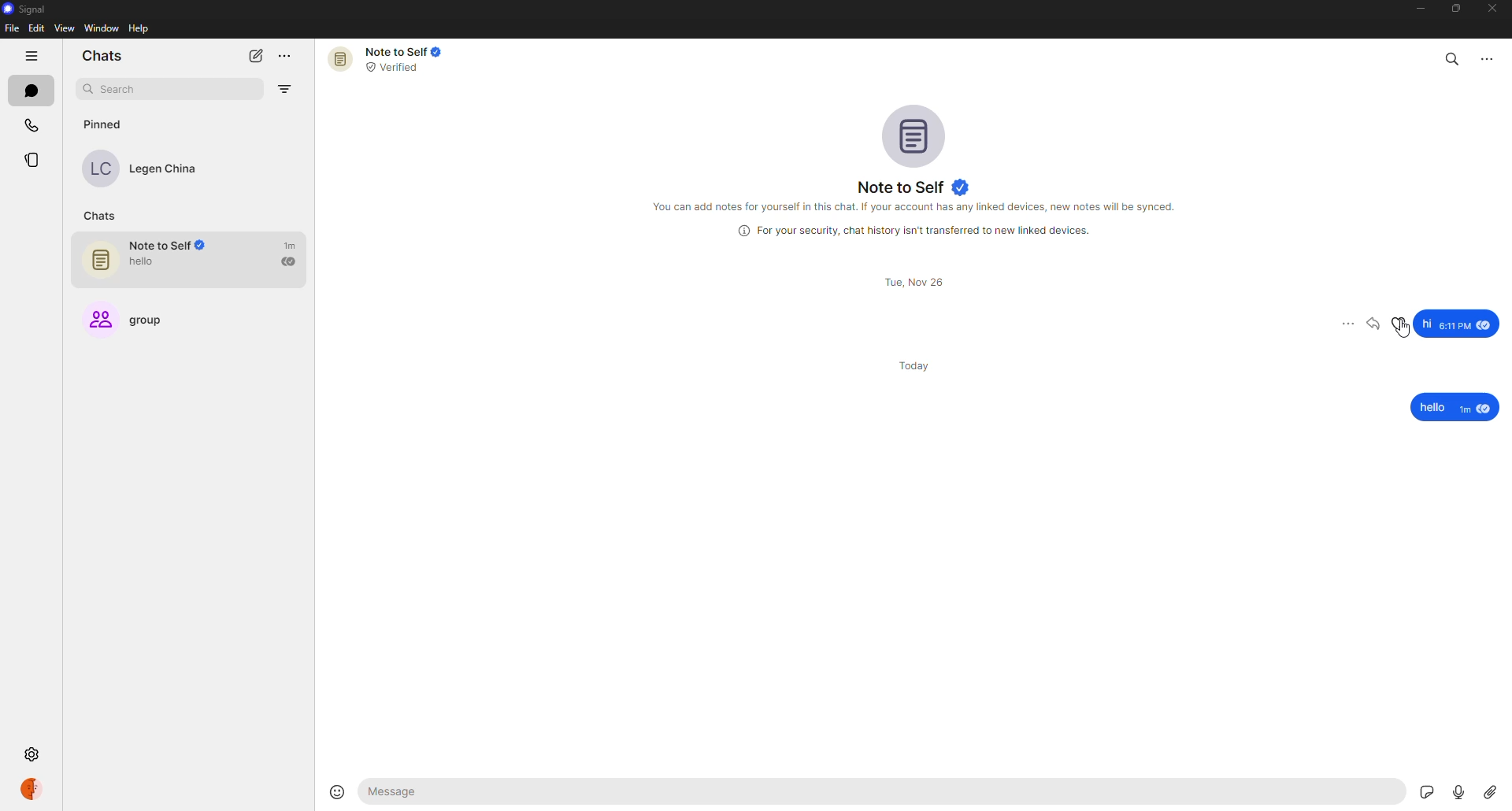 The height and width of the screenshot is (811, 1512). What do you see at coordinates (139, 29) in the screenshot?
I see `help` at bounding box center [139, 29].